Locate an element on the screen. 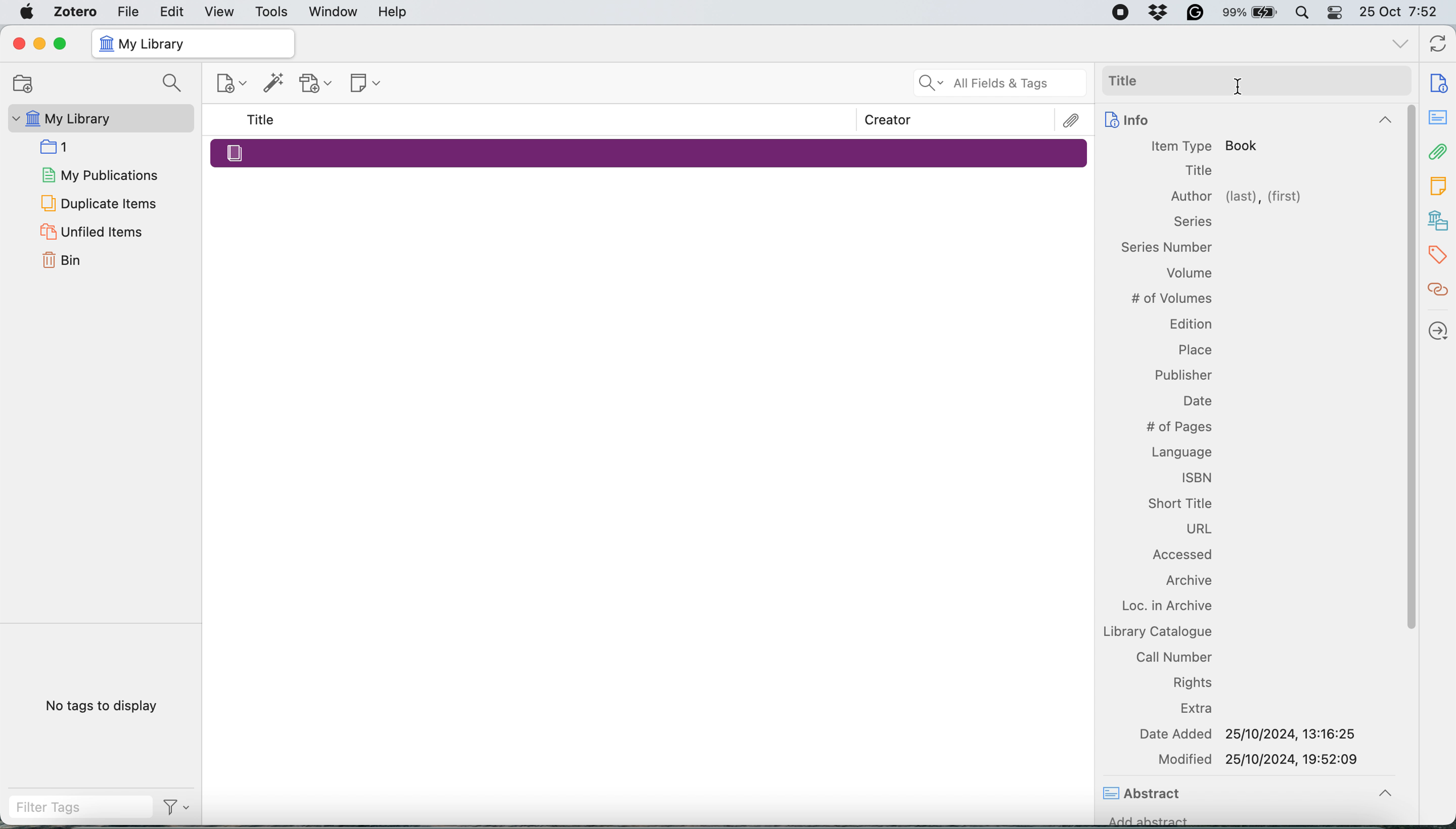  Title is located at coordinates (1129, 82).